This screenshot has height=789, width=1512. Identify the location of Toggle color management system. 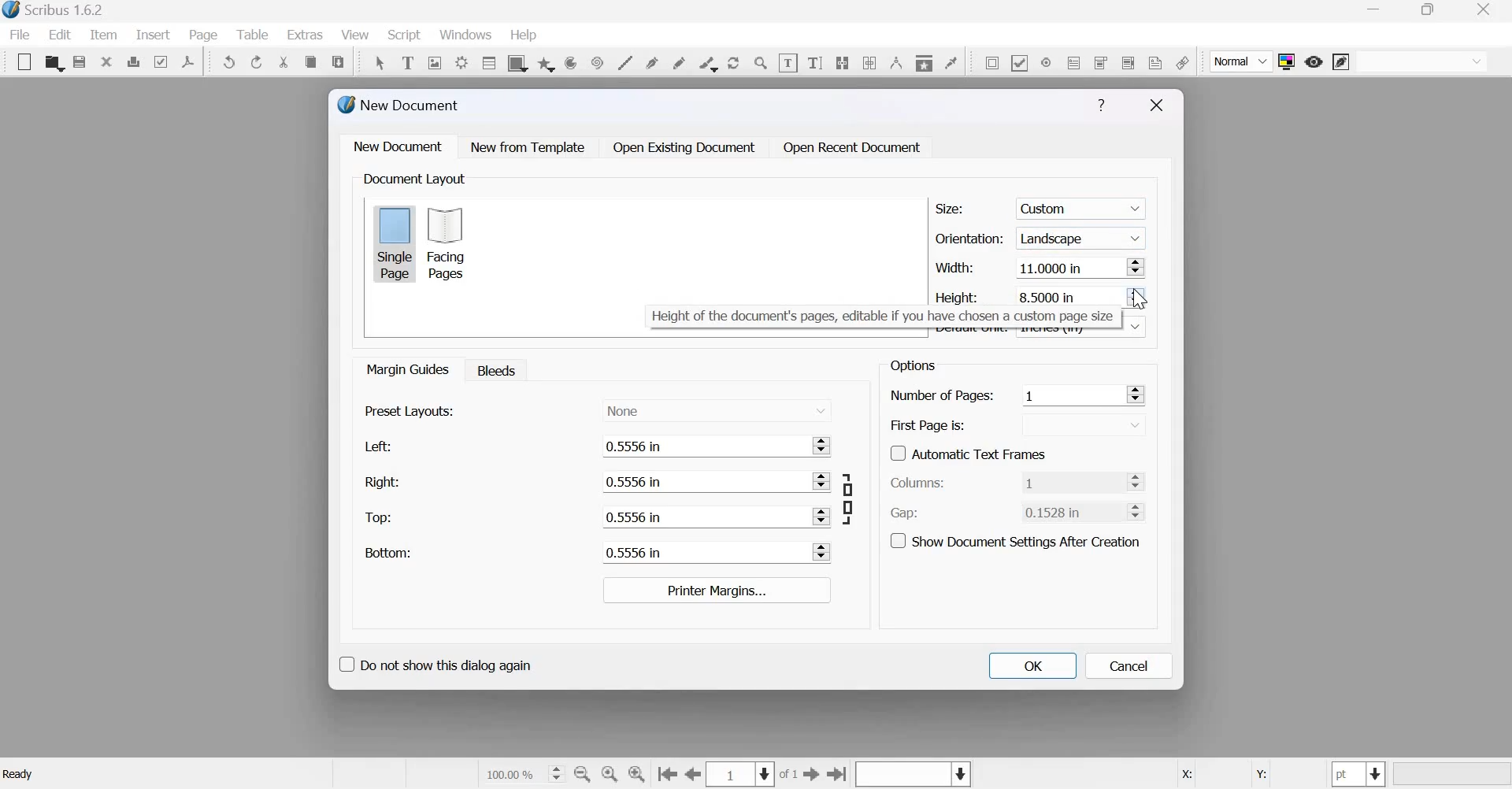
(1287, 61).